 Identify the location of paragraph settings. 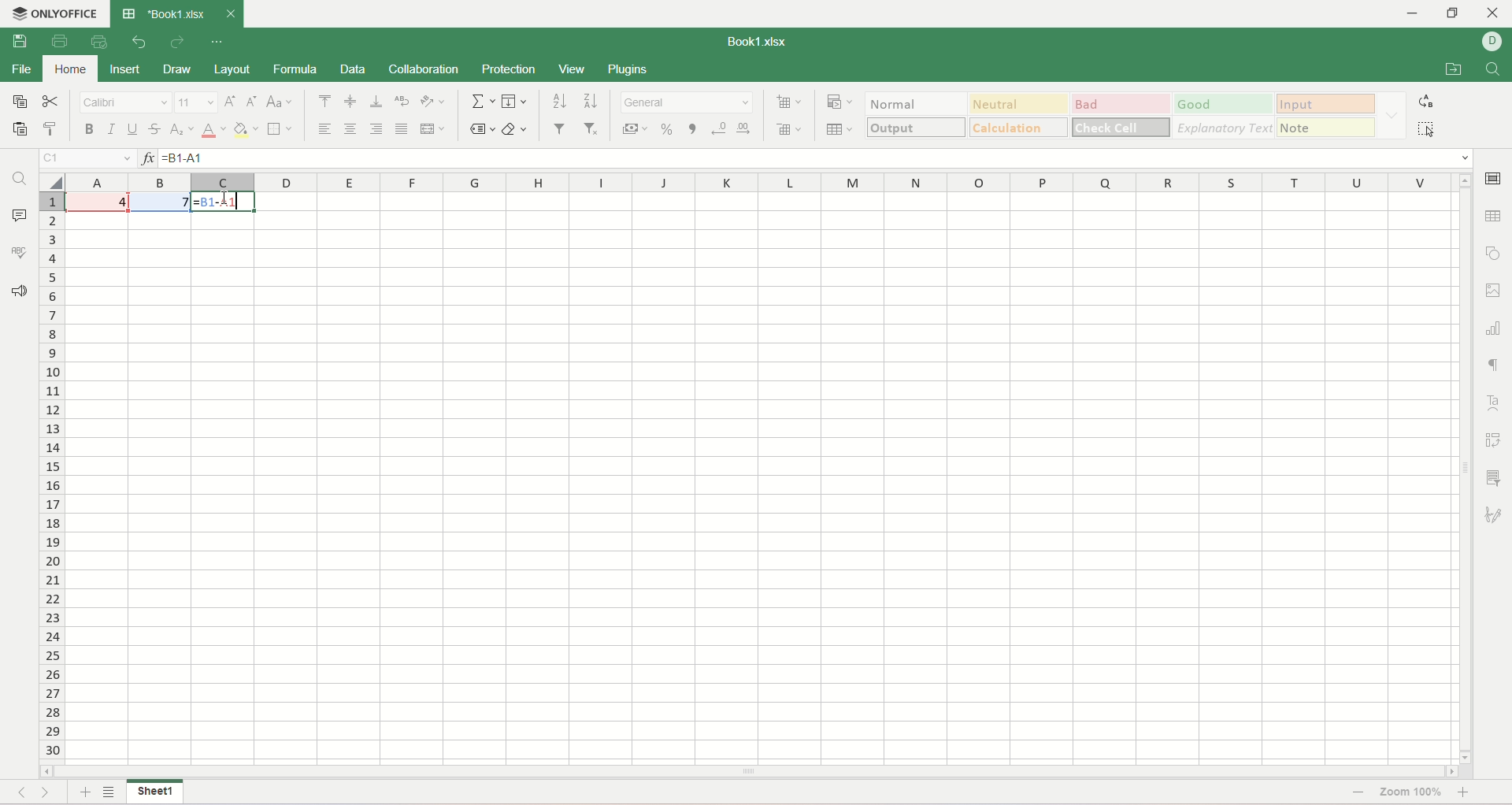
(1499, 365).